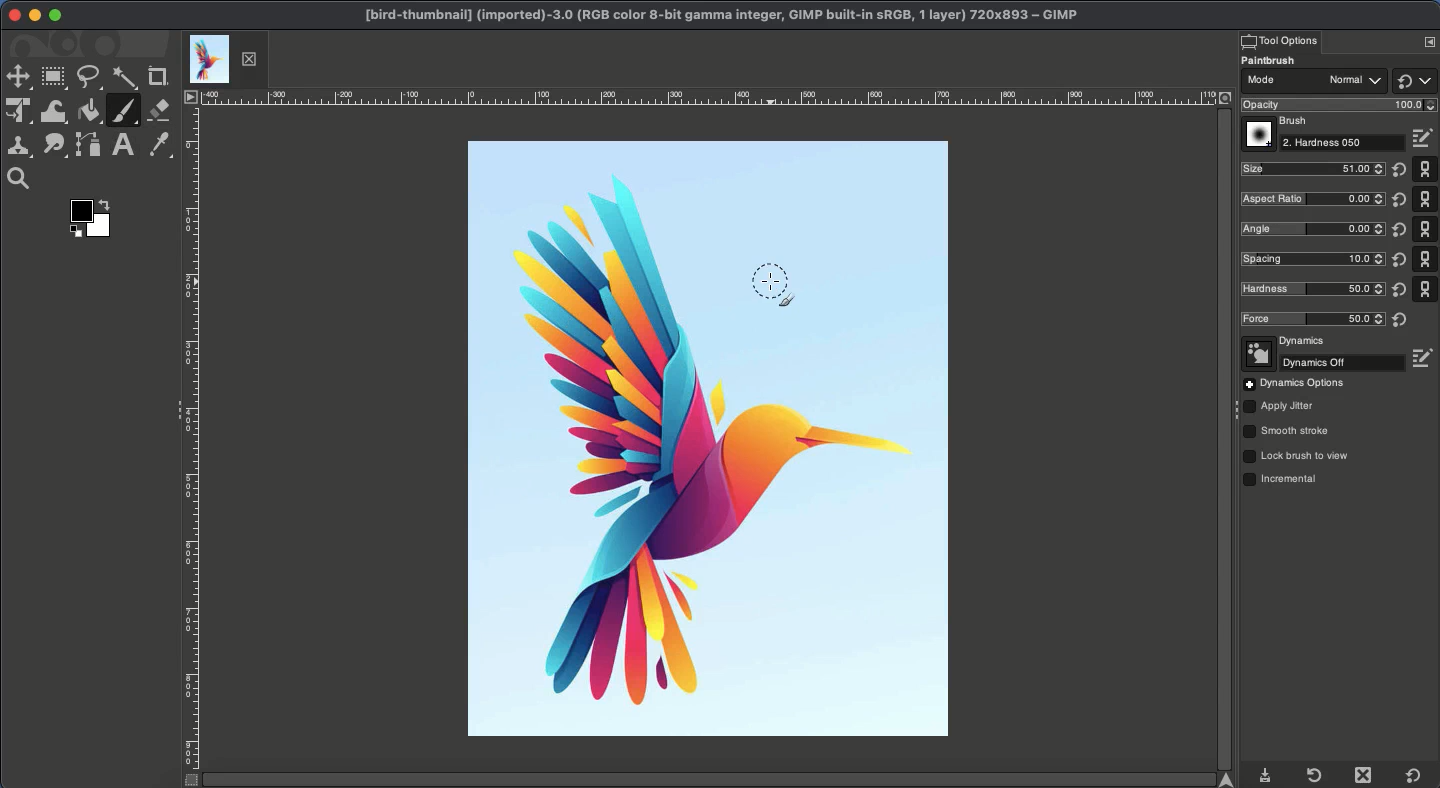 This screenshot has width=1440, height=788. I want to click on Freeform selector, so click(90, 78).